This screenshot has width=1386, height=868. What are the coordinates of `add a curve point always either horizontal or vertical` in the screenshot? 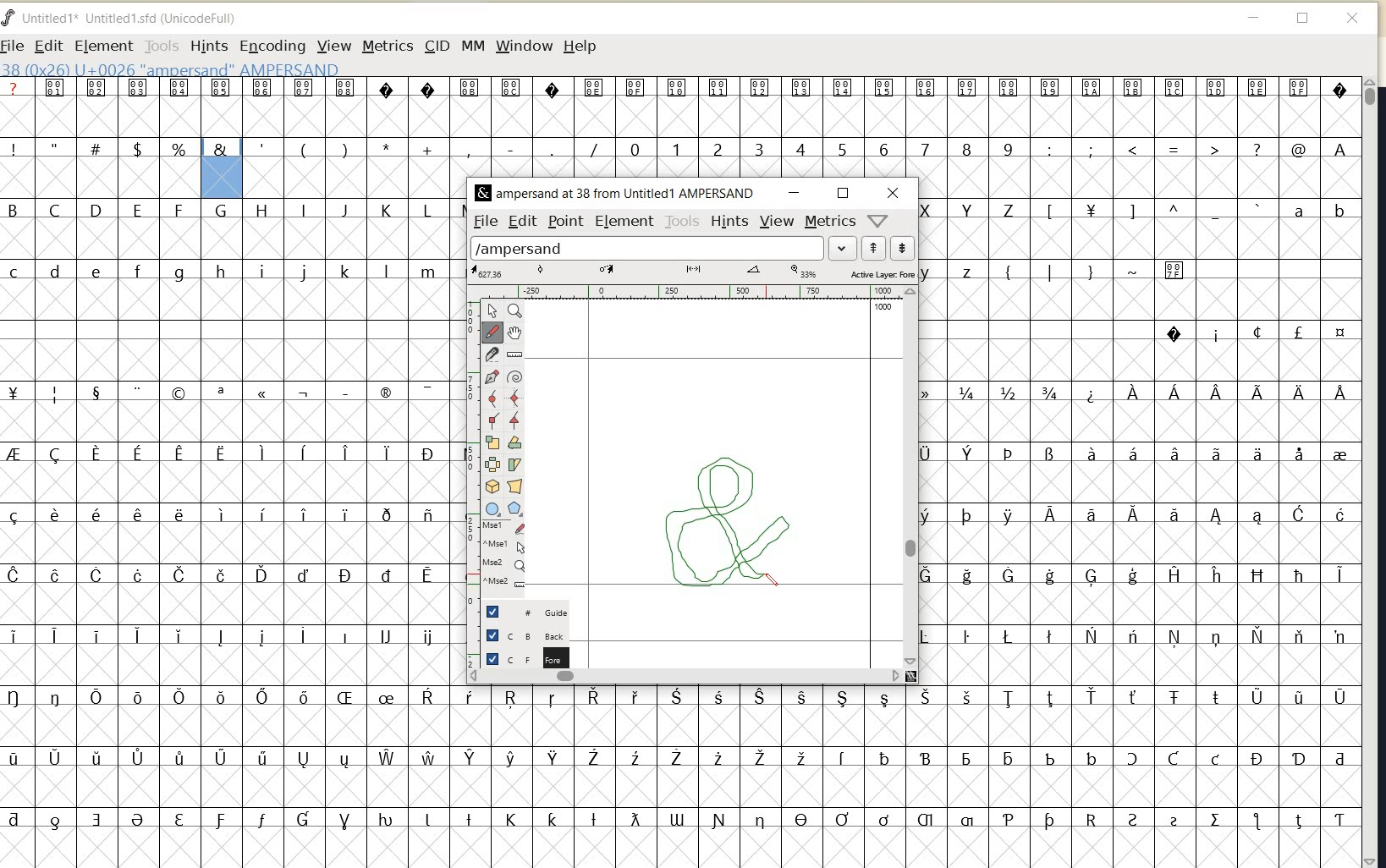 It's located at (518, 398).